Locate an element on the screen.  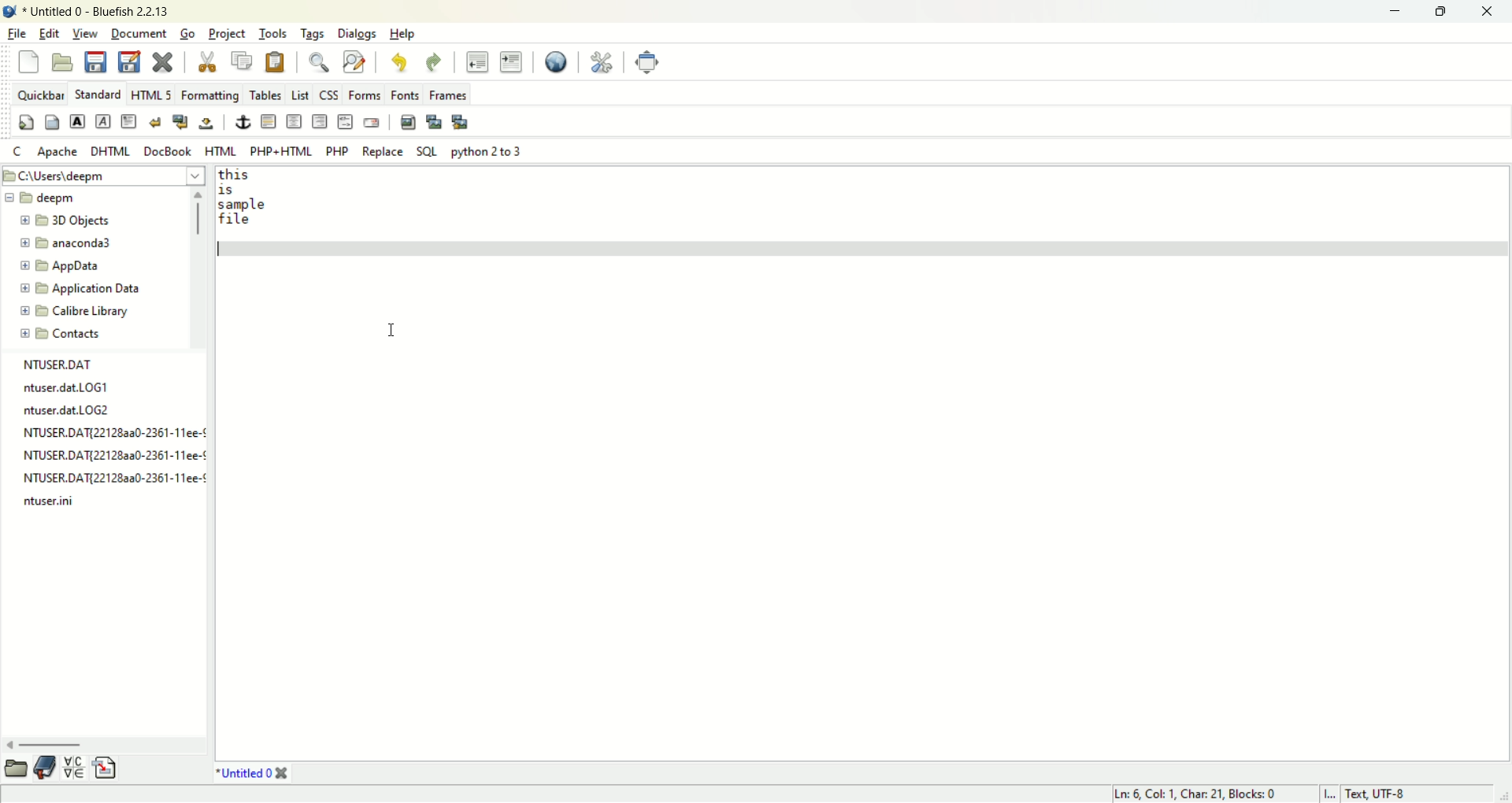
HTML 5 is located at coordinates (153, 94).